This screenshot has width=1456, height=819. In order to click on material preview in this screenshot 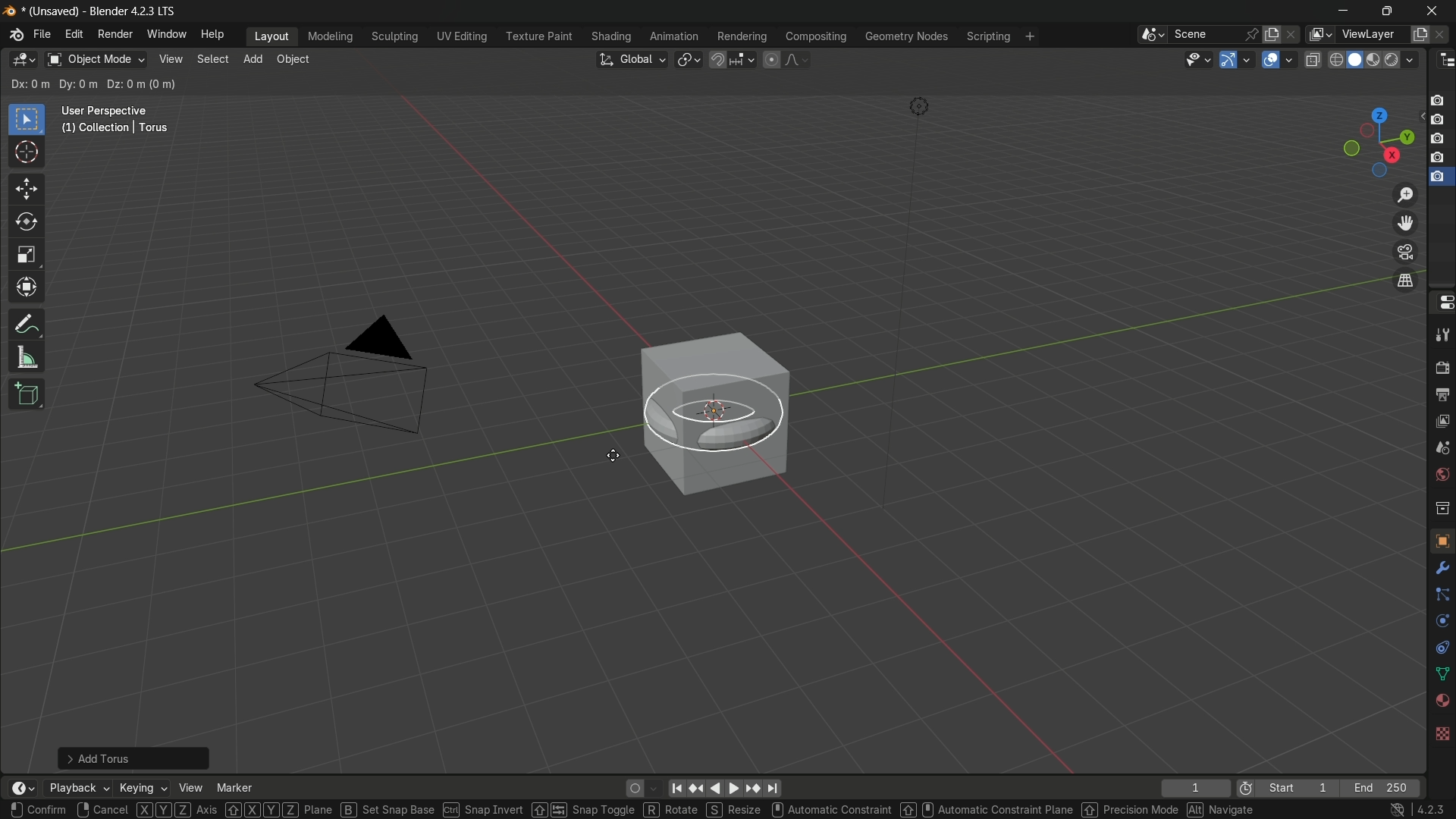, I will do `click(1403, 60)`.